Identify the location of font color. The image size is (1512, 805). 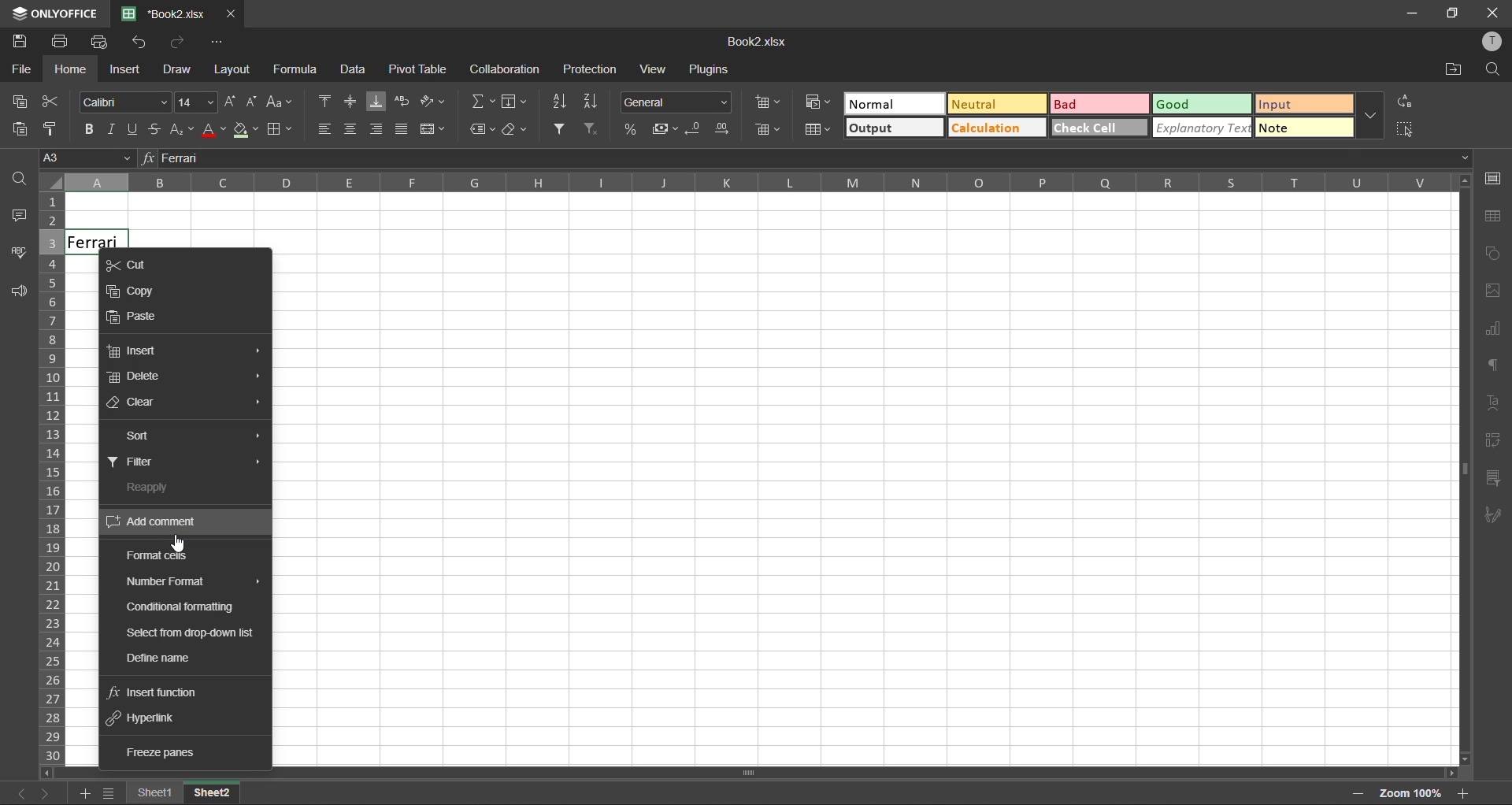
(213, 131).